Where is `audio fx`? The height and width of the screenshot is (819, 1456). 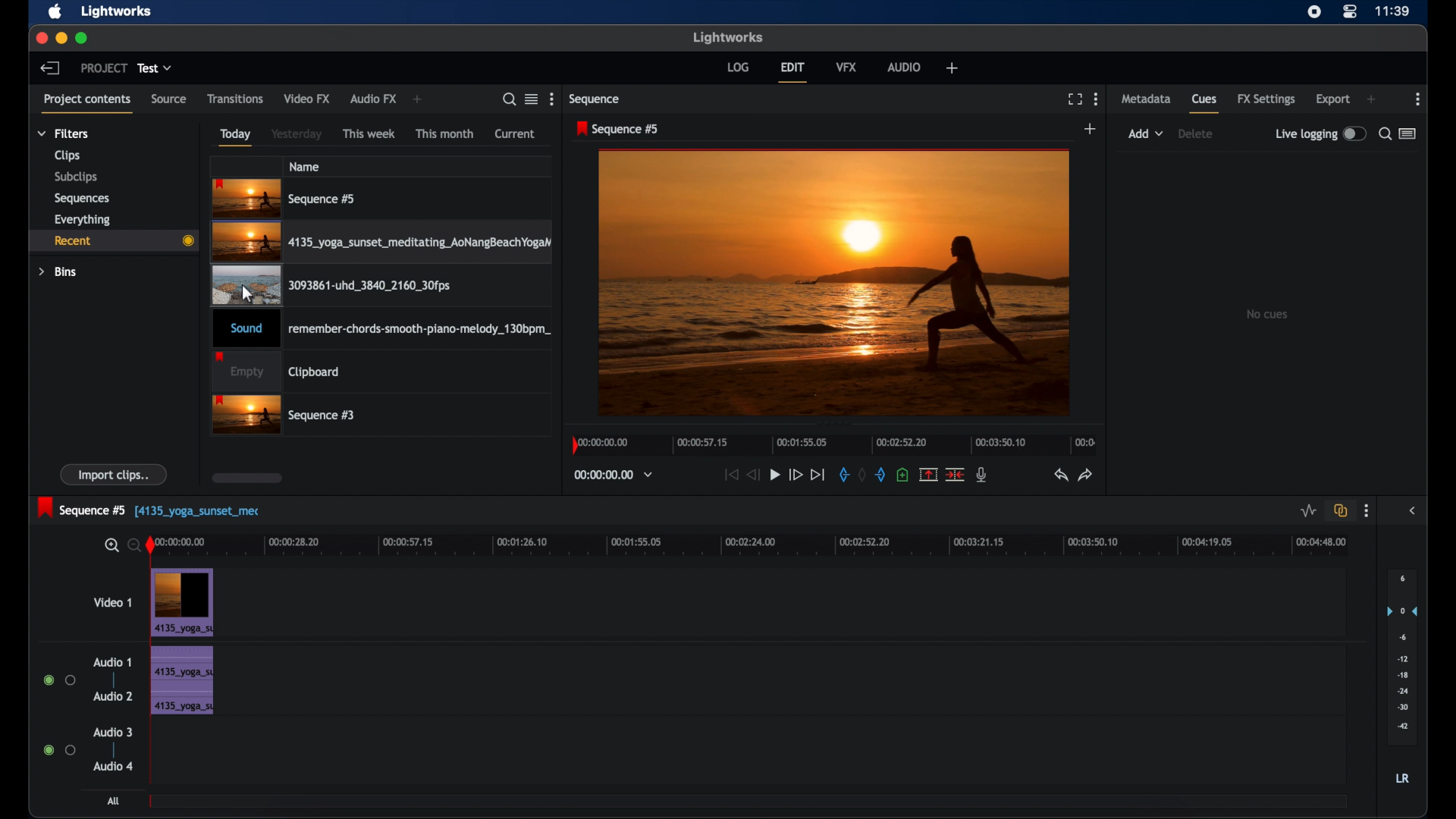 audio fx is located at coordinates (372, 99).